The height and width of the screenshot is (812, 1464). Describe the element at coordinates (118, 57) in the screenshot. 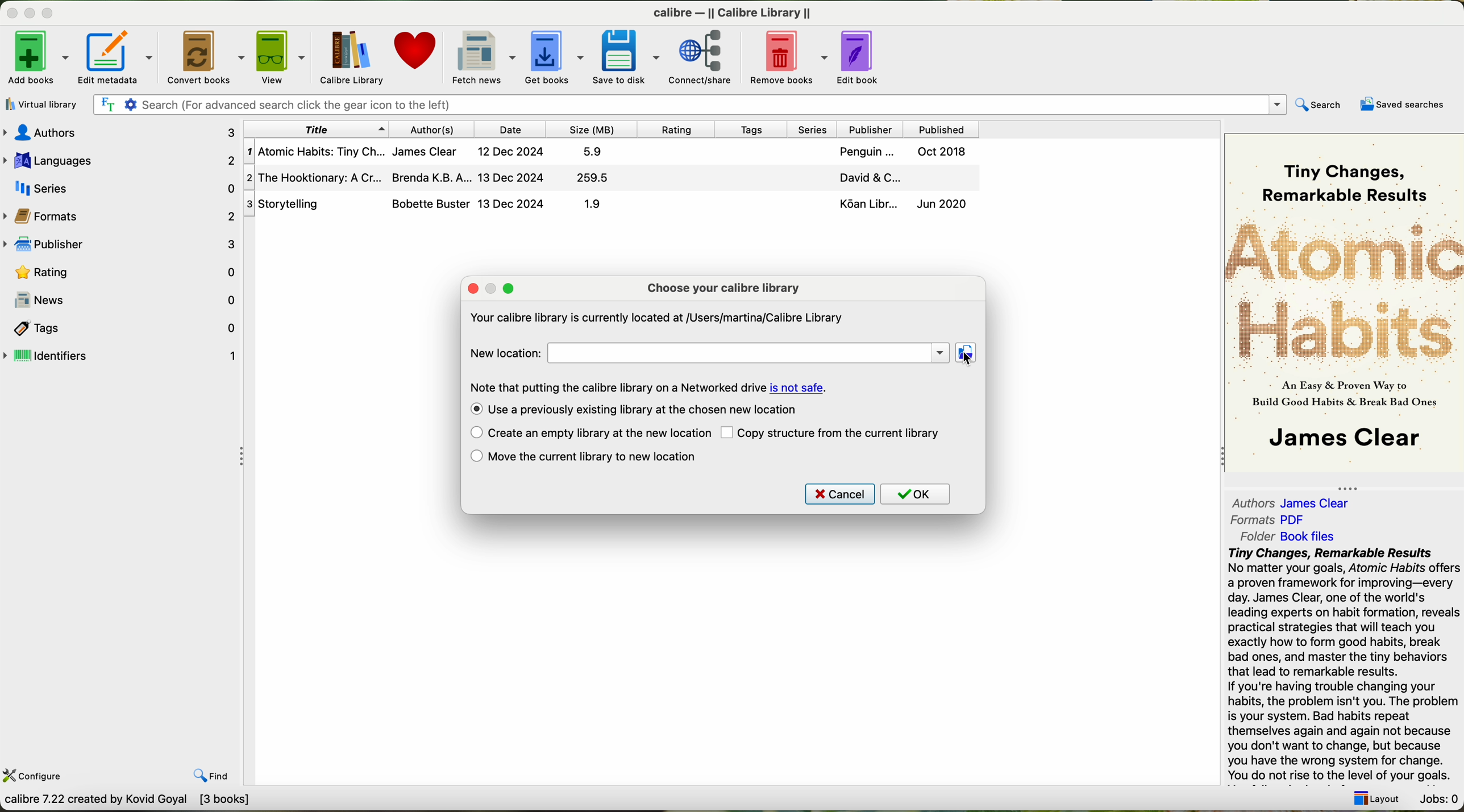

I see `edit metadata` at that location.